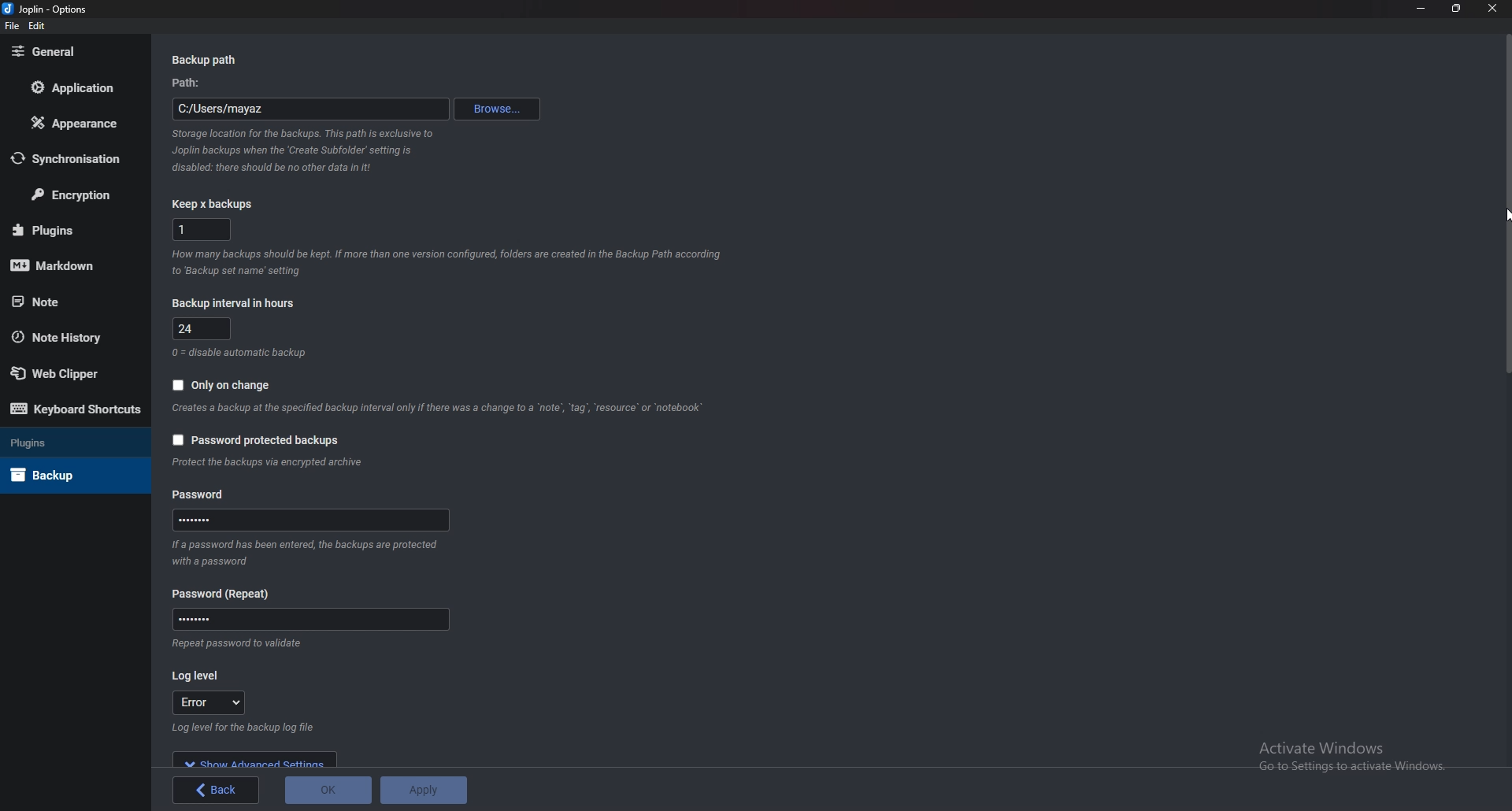  What do you see at coordinates (63, 441) in the screenshot?
I see `Plugins` at bounding box center [63, 441].